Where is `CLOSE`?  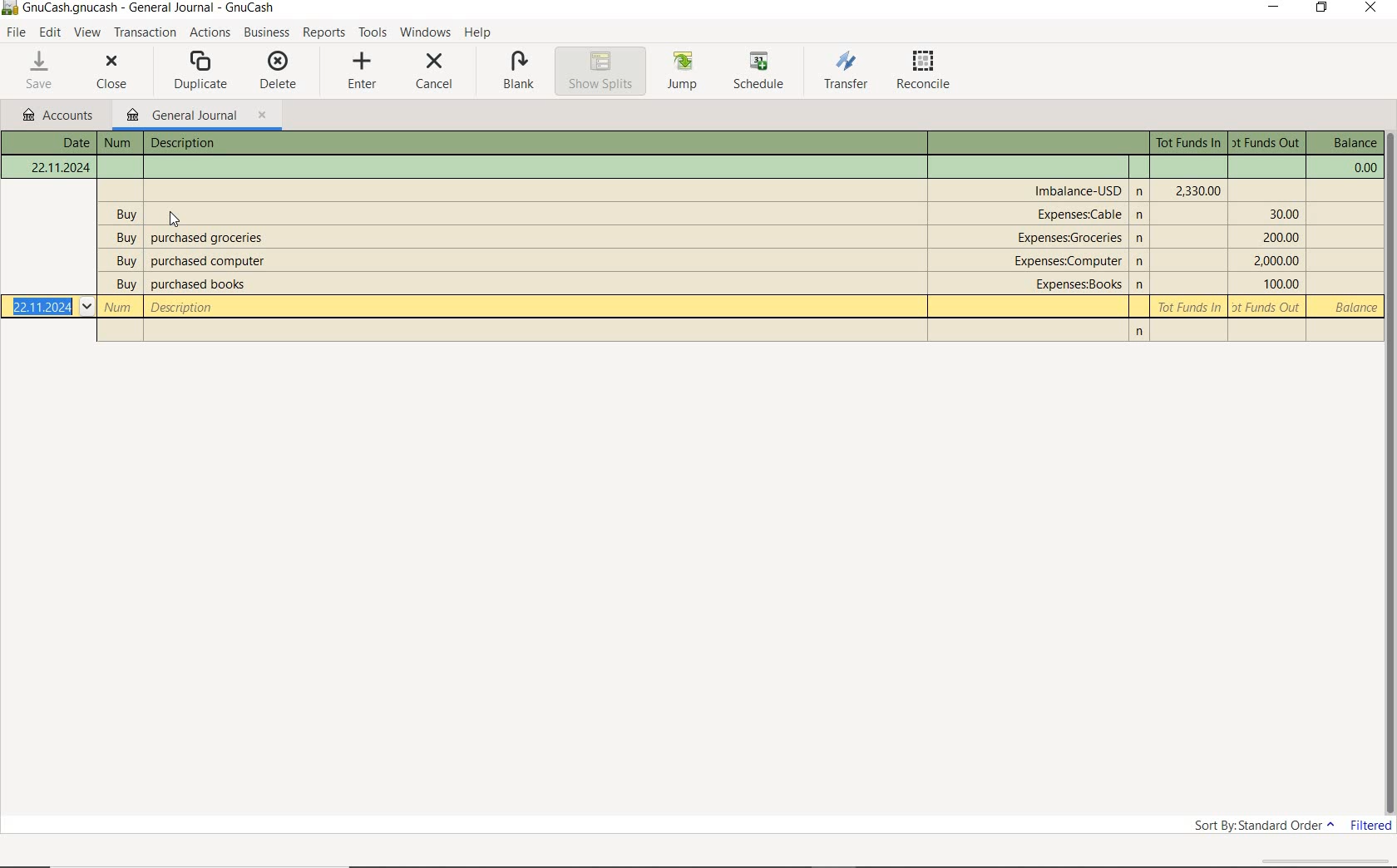 CLOSE is located at coordinates (1371, 7).